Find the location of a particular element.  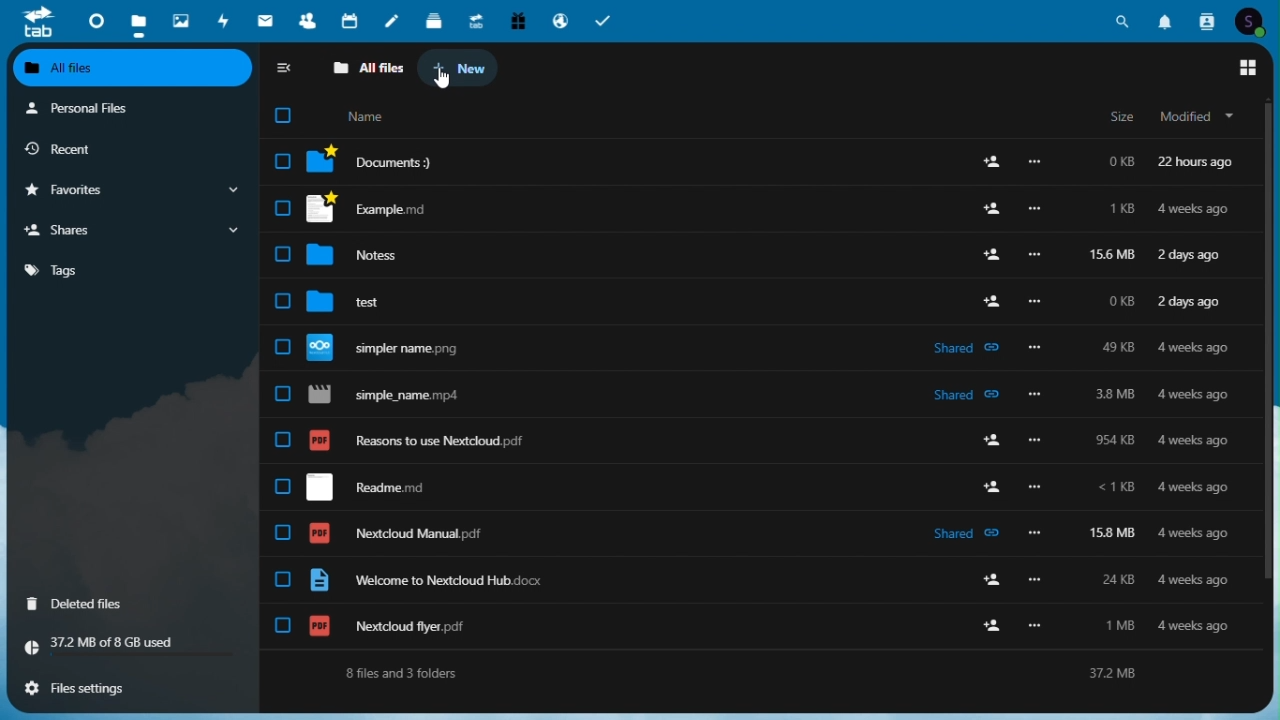

storage is located at coordinates (133, 644).